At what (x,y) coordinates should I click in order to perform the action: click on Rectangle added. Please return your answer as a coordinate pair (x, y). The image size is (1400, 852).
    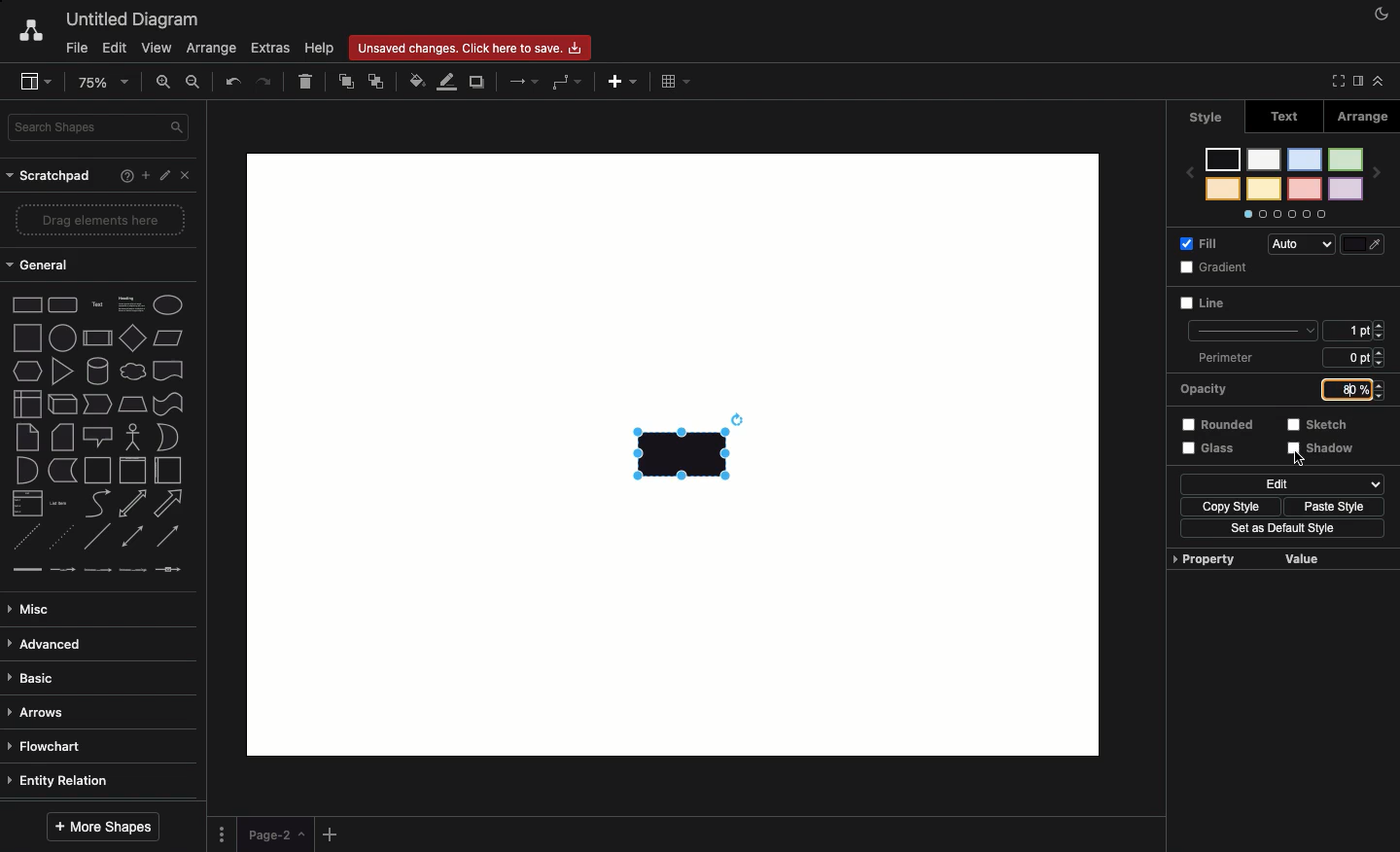
    Looking at the image, I should click on (685, 451).